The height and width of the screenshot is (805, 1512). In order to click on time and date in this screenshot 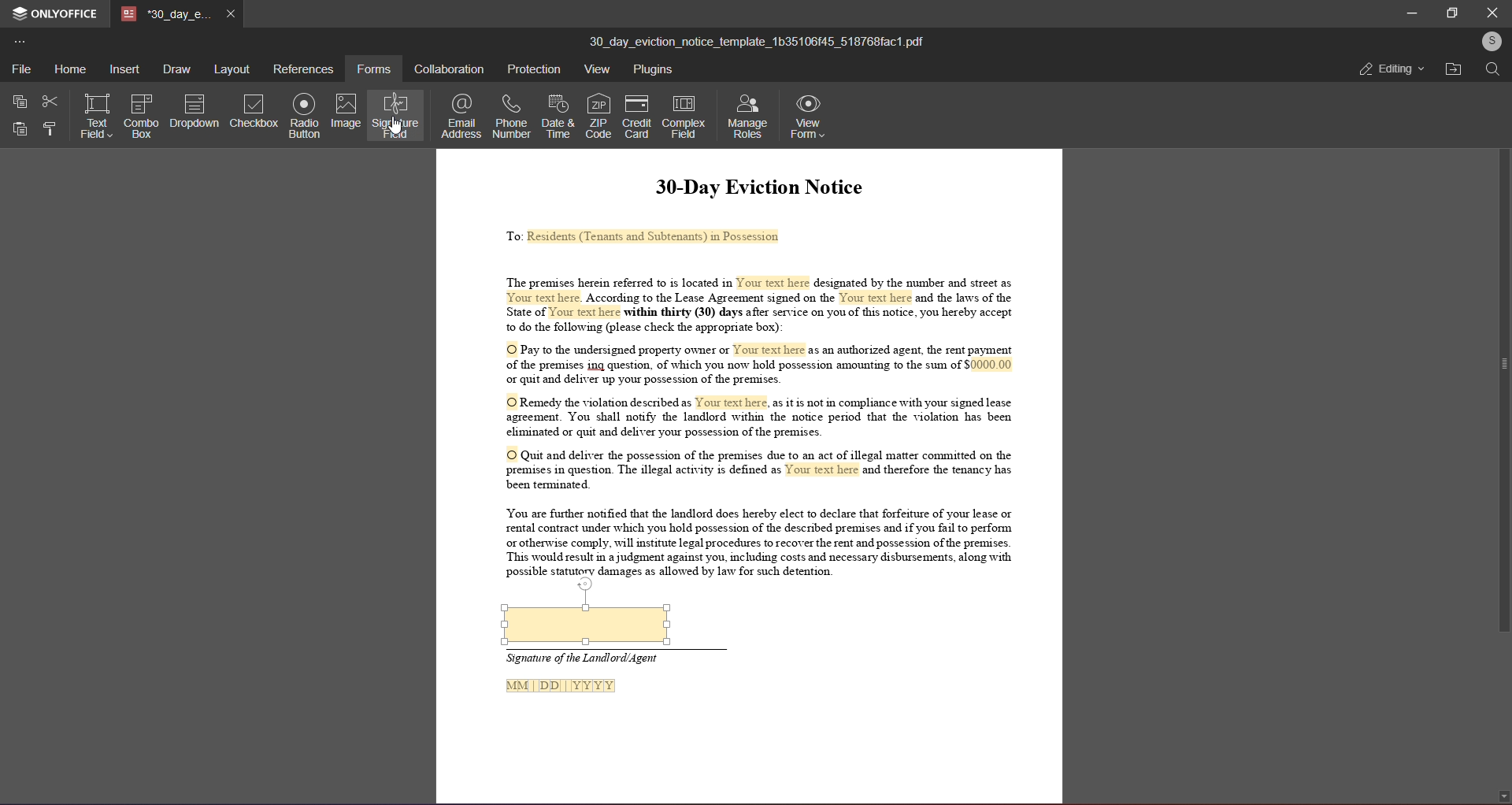, I will do `click(555, 114)`.